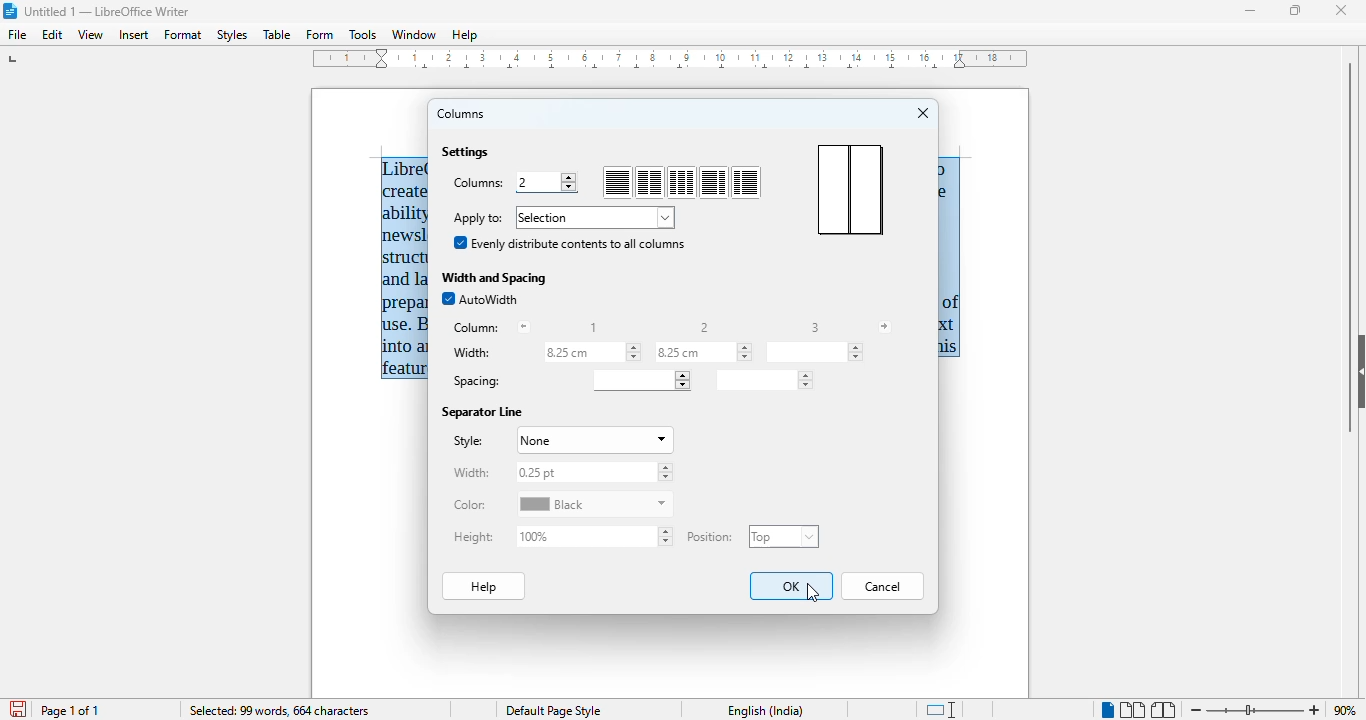  Describe the element at coordinates (1357, 370) in the screenshot. I see `show` at that location.